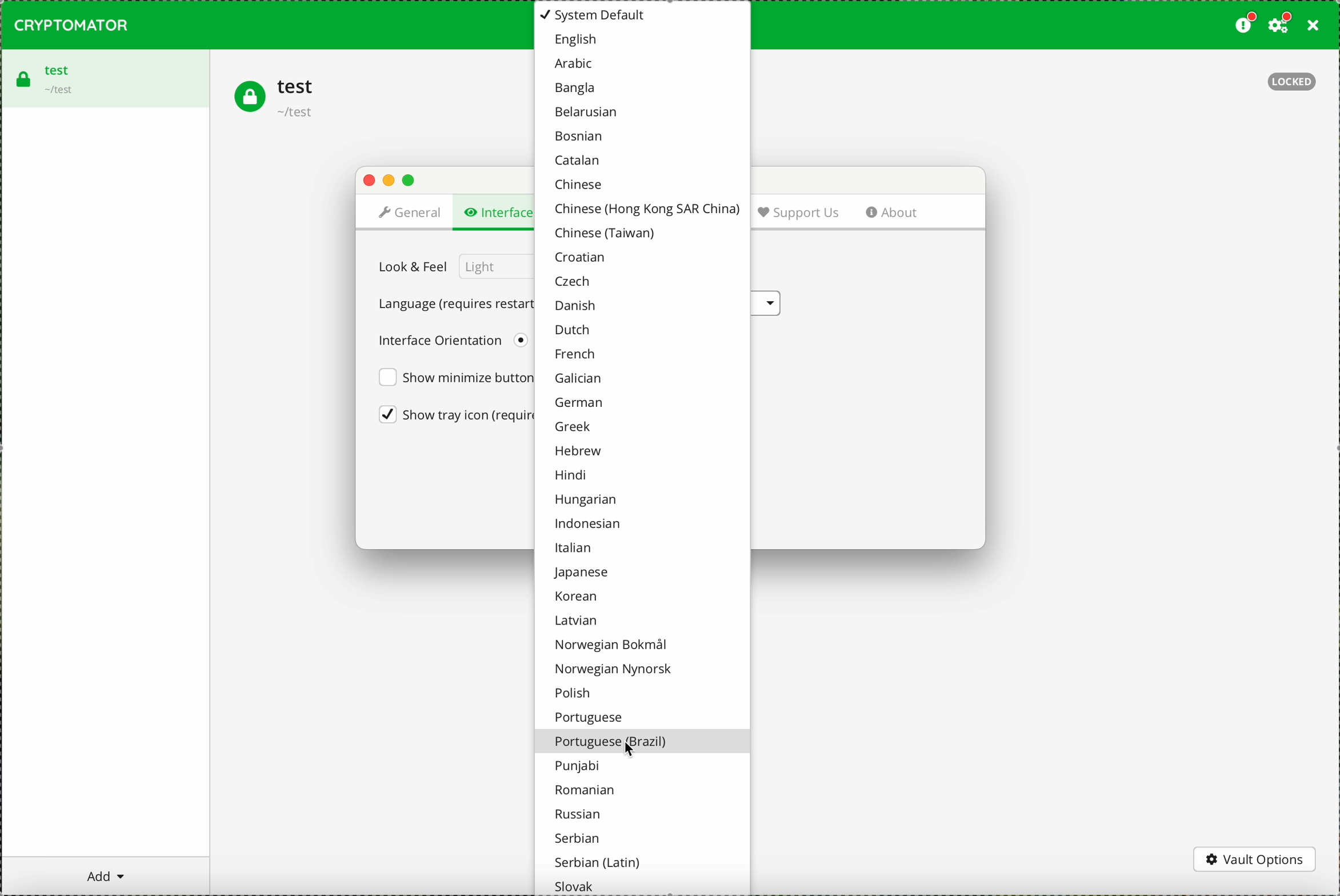 This screenshot has width=1340, height=896. What do you see at coordinates (1243, 25) in the screenshot?
I see `donate` at bounding box center [1243, 25].